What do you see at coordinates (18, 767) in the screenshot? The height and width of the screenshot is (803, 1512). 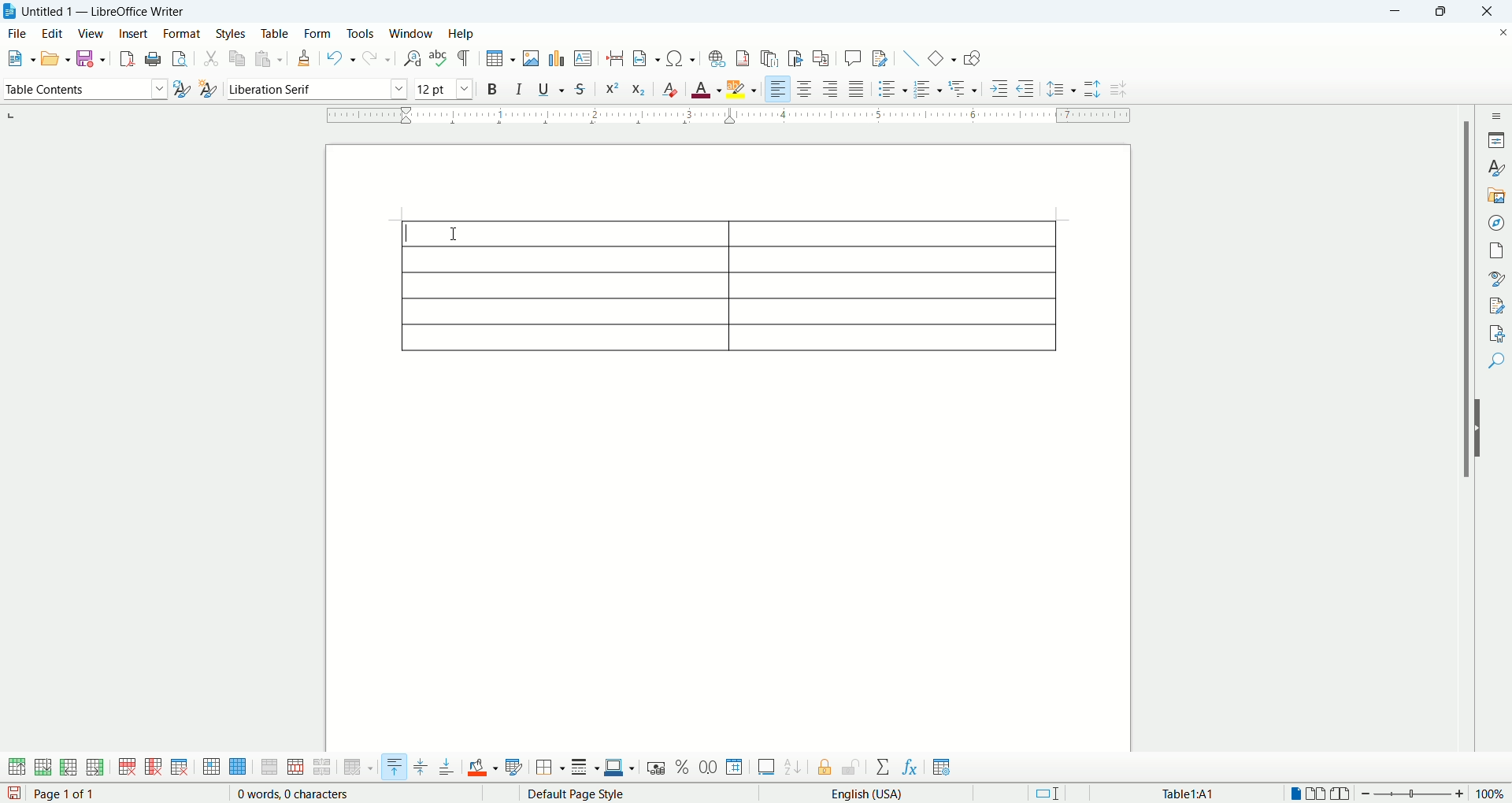 I see `insert row above` at bounding box center [18, 767].